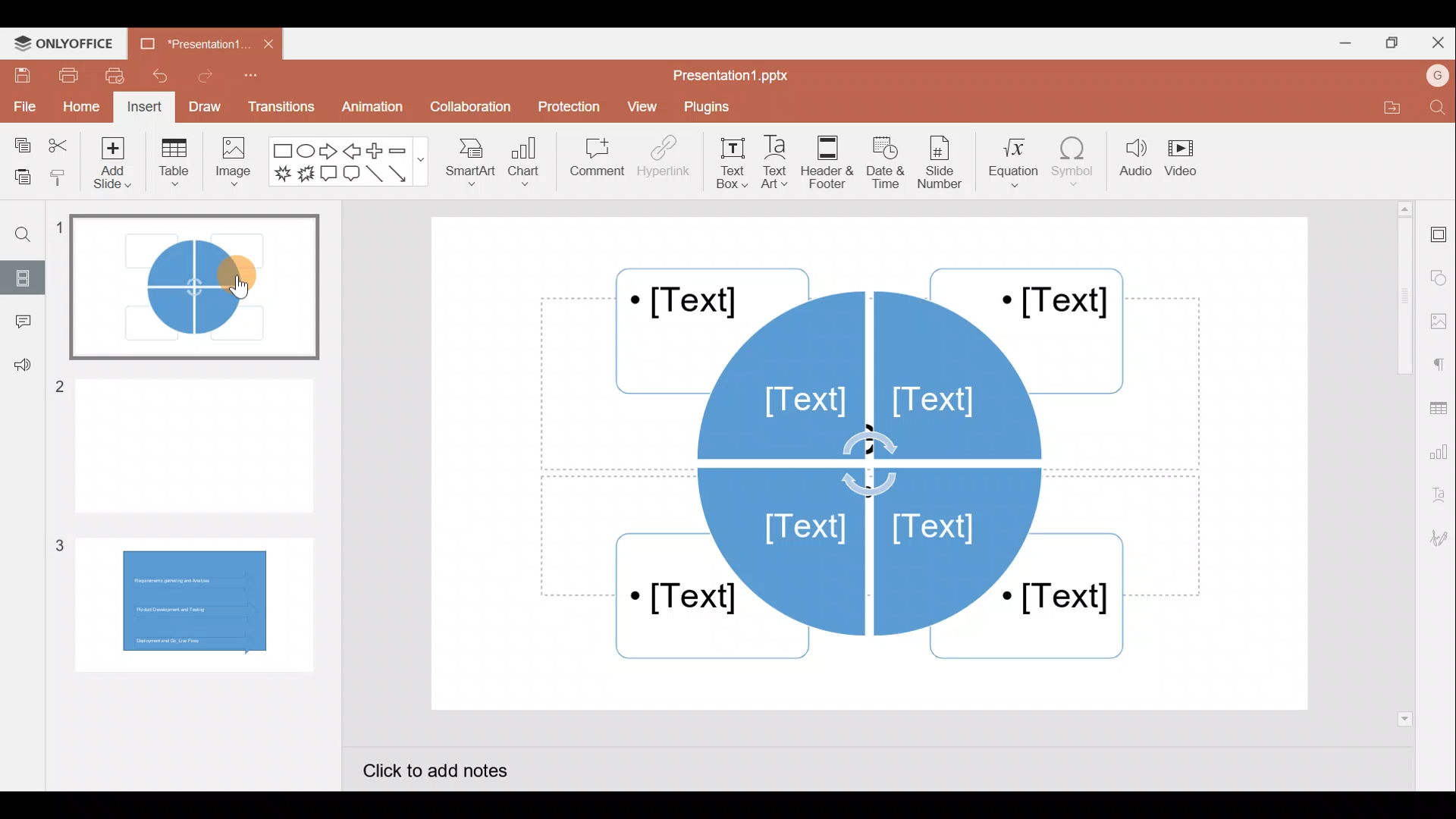 The image size is (1456, 819). I want to click on File, so click(23, 106).